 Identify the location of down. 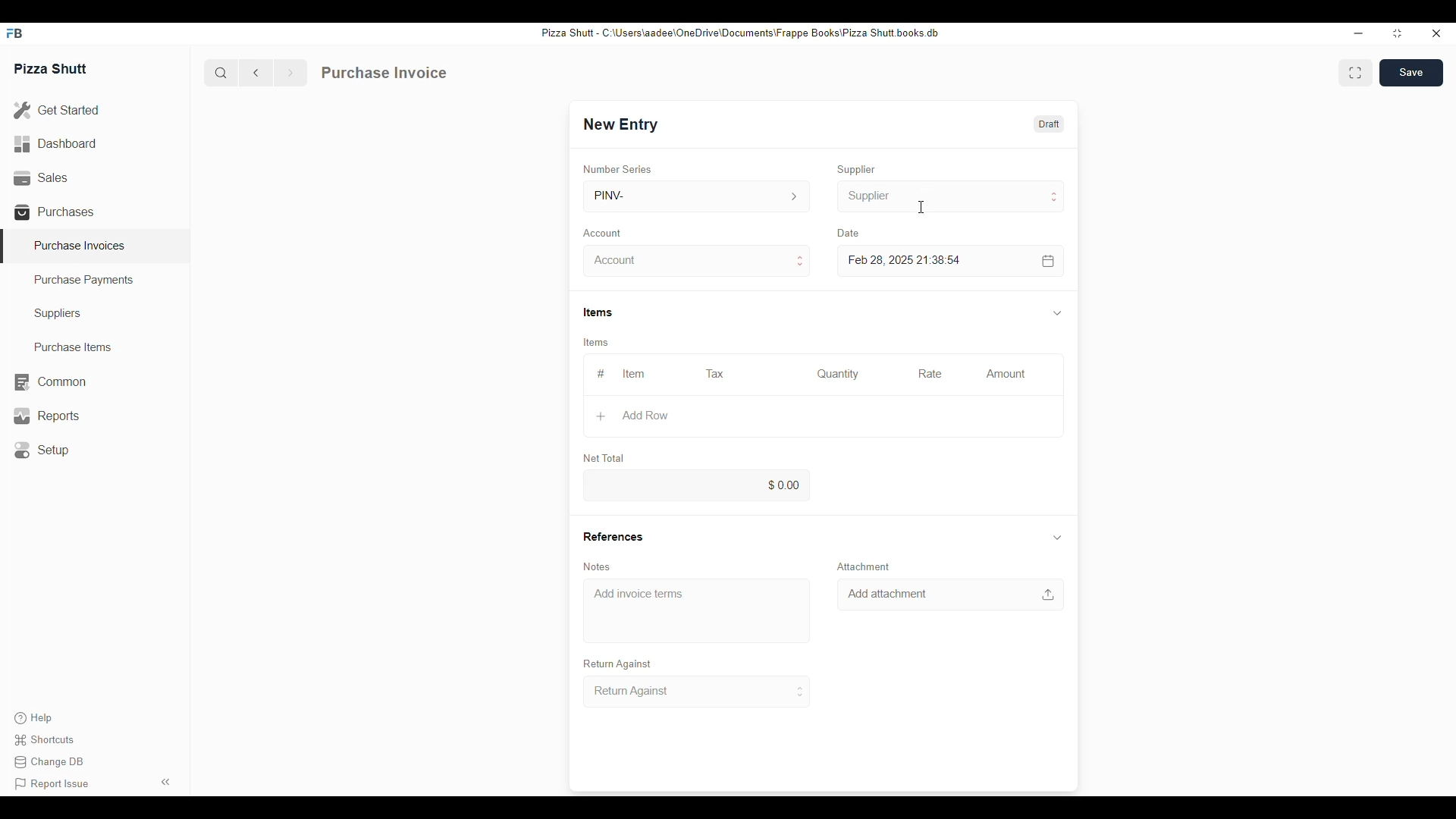
(1056, 313).